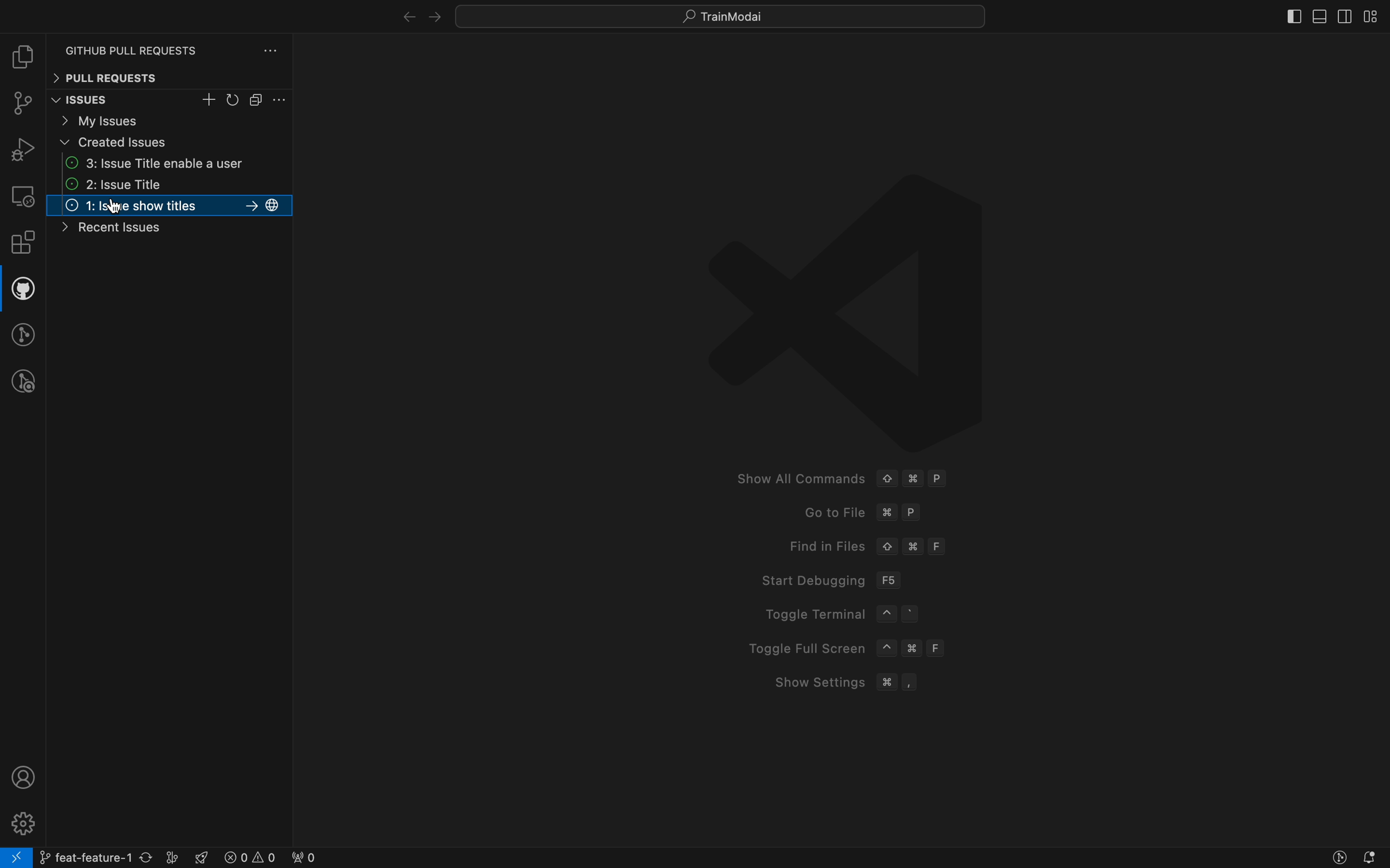 This screenshot has width=1390, height=868. What do you see at coordinates (25, 334) in the screenshot?
I see `git lens` at bounding box center [25, 334].